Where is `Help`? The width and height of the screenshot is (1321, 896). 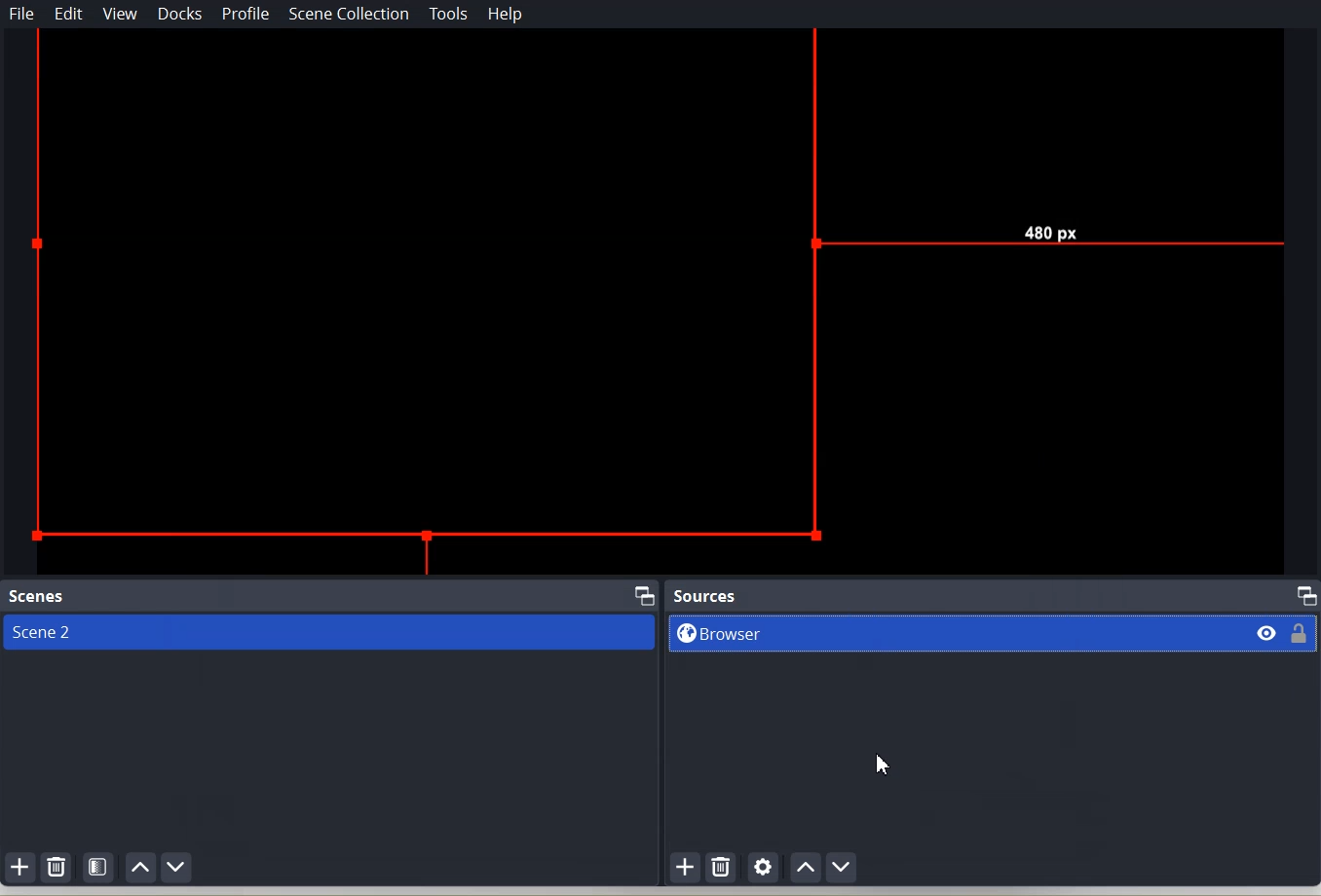
Help is located at coordinates (506, 14).